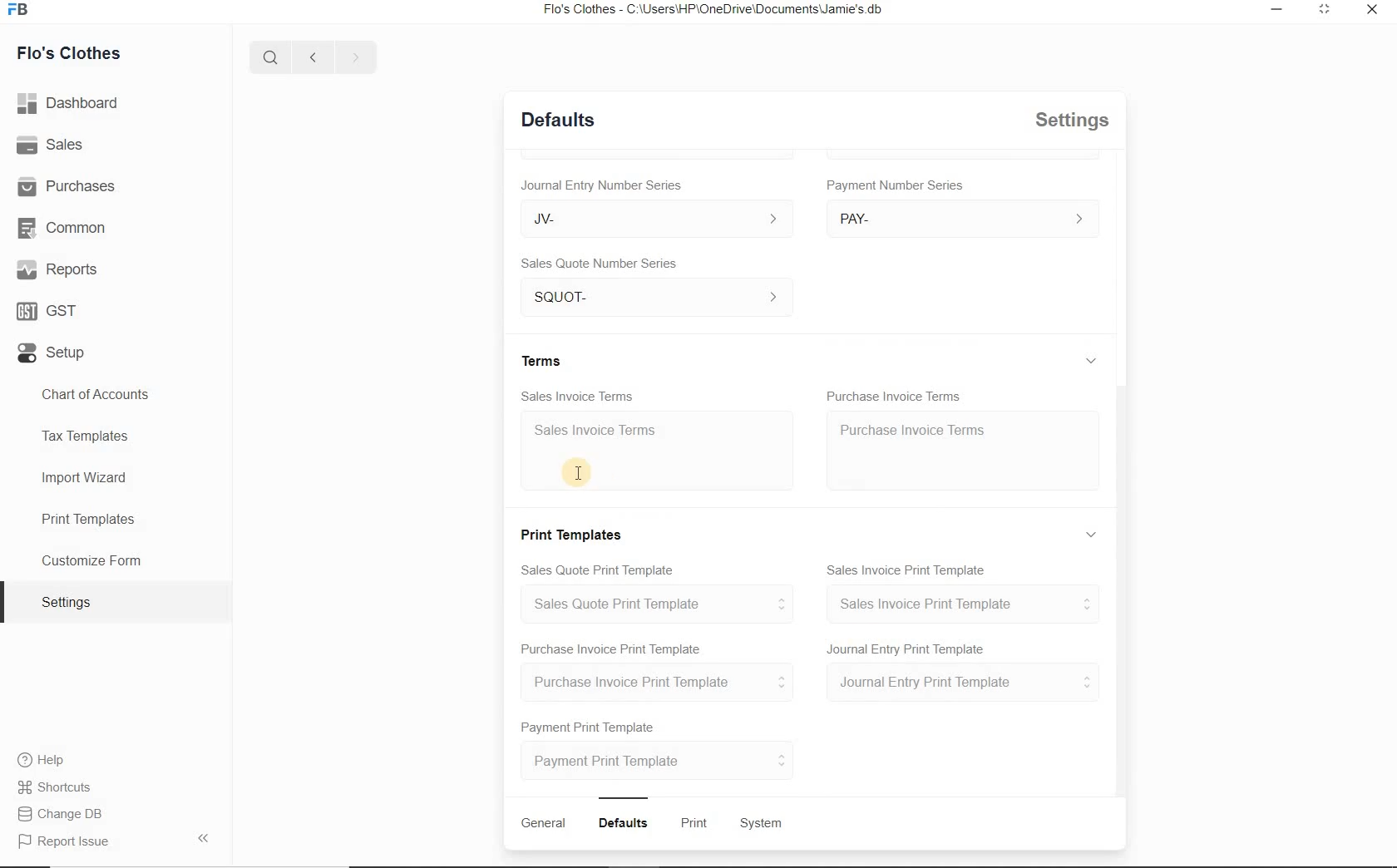  Describe the element at coordinates (656, 297) in the screenshot. I see `SQUOT-` at that location.